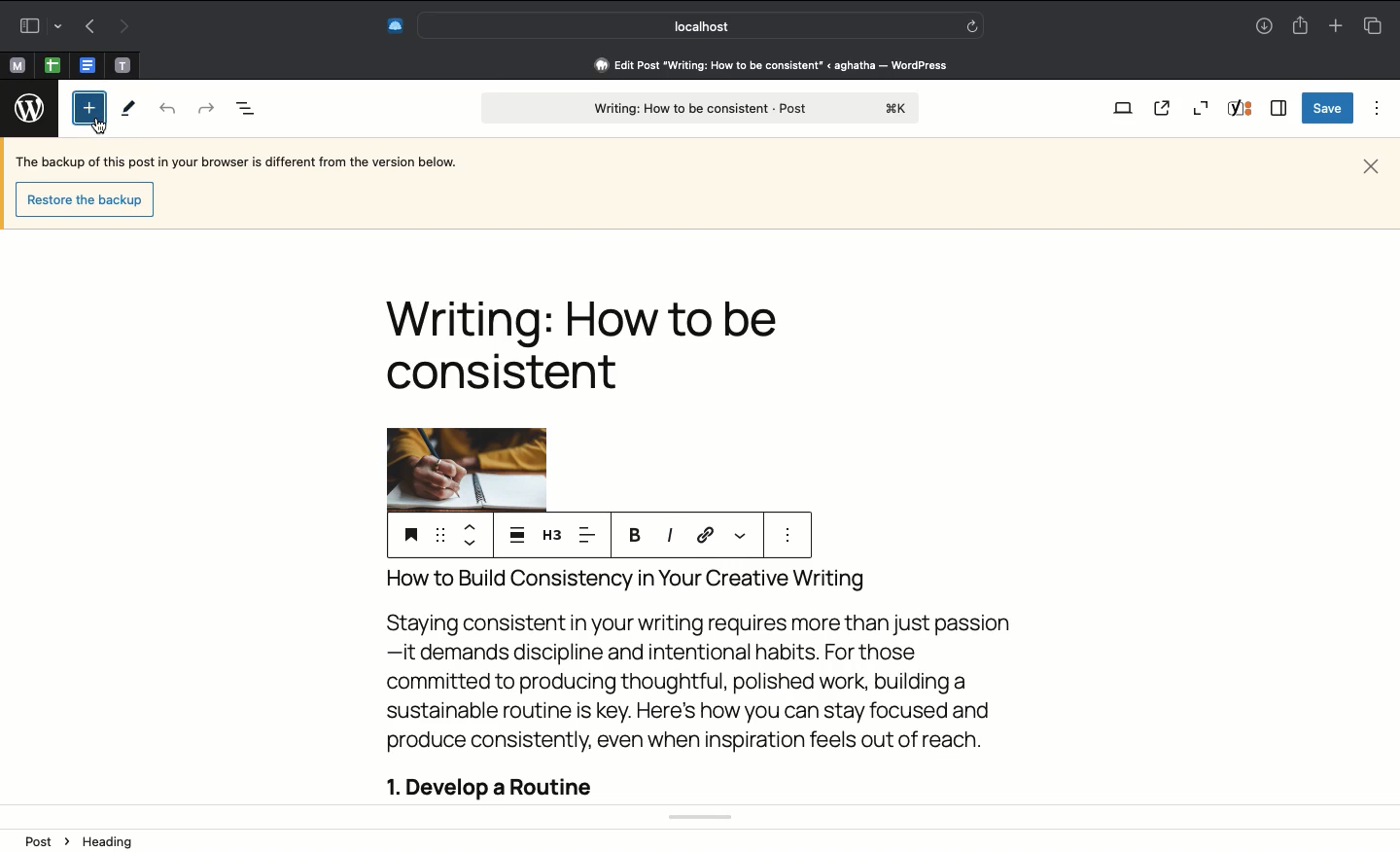 The image size is (1400, 852). I want to click on Pinned tabs, so click(121, 65).